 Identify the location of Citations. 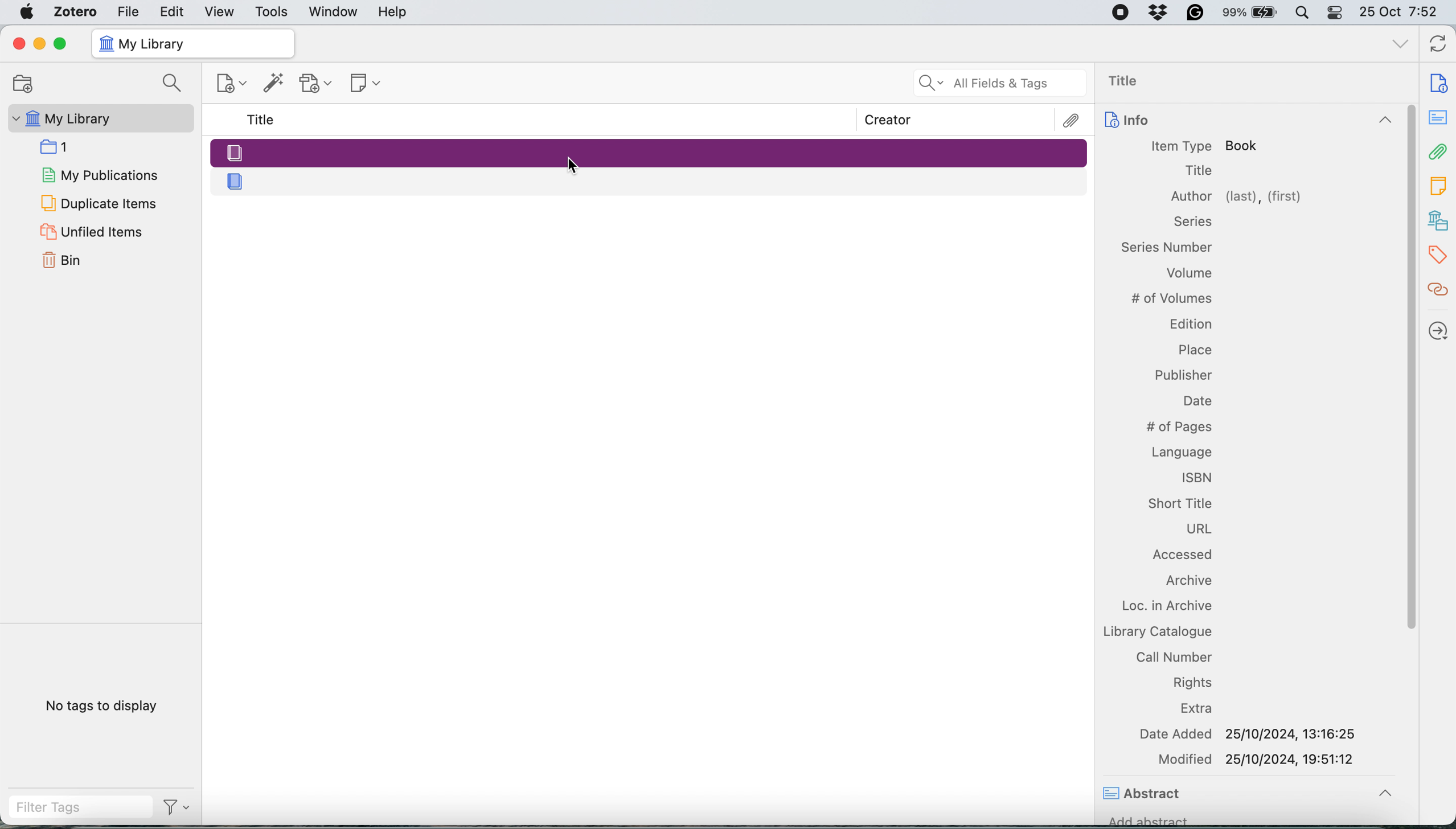
(1439, 290).